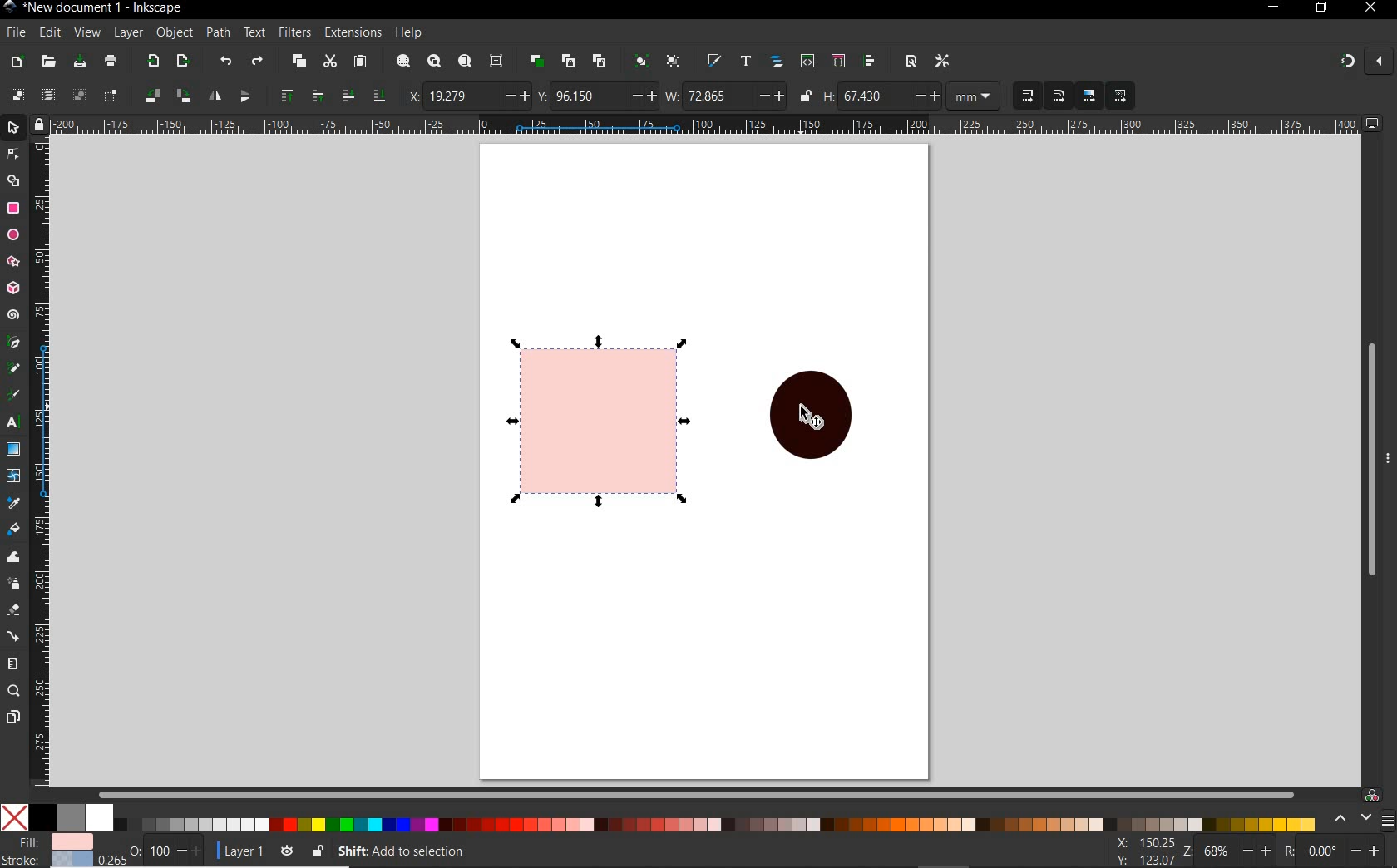  I want to click on lock or unlock the object, so click(318, 851).